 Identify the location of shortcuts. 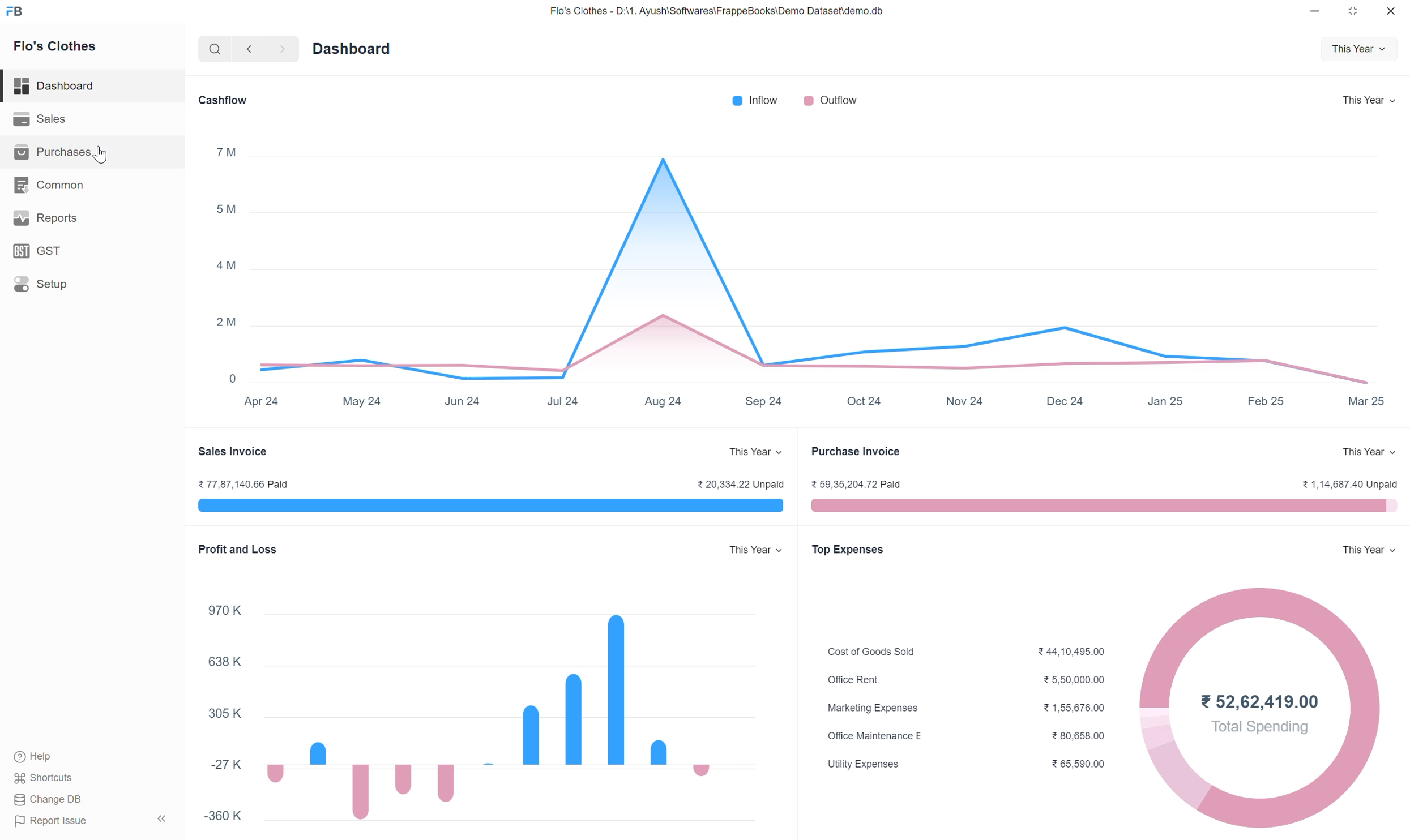
(42, 779).